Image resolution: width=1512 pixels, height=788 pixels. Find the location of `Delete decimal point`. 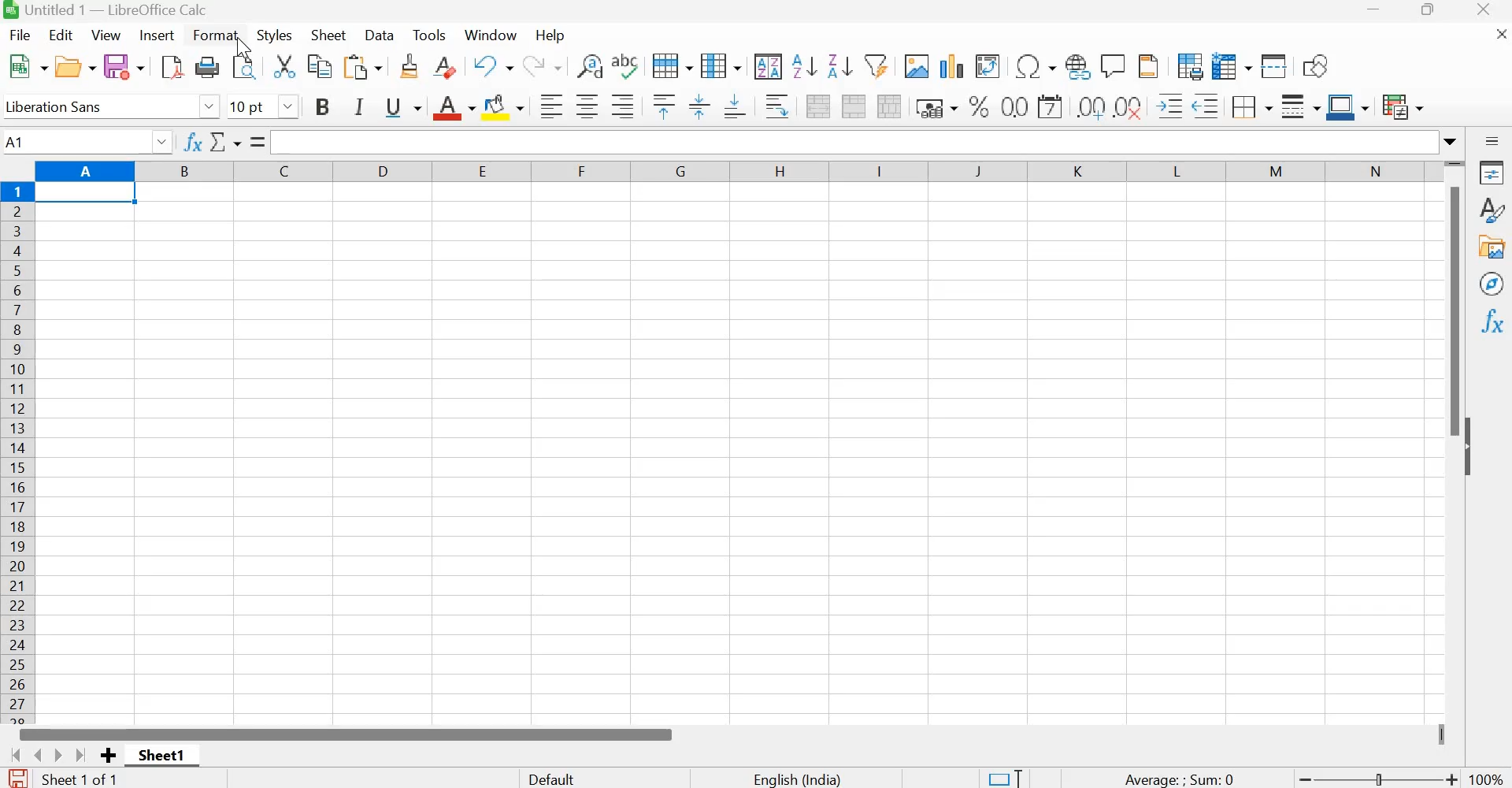

Delete decimal point is located at coordinates (1129, 106).